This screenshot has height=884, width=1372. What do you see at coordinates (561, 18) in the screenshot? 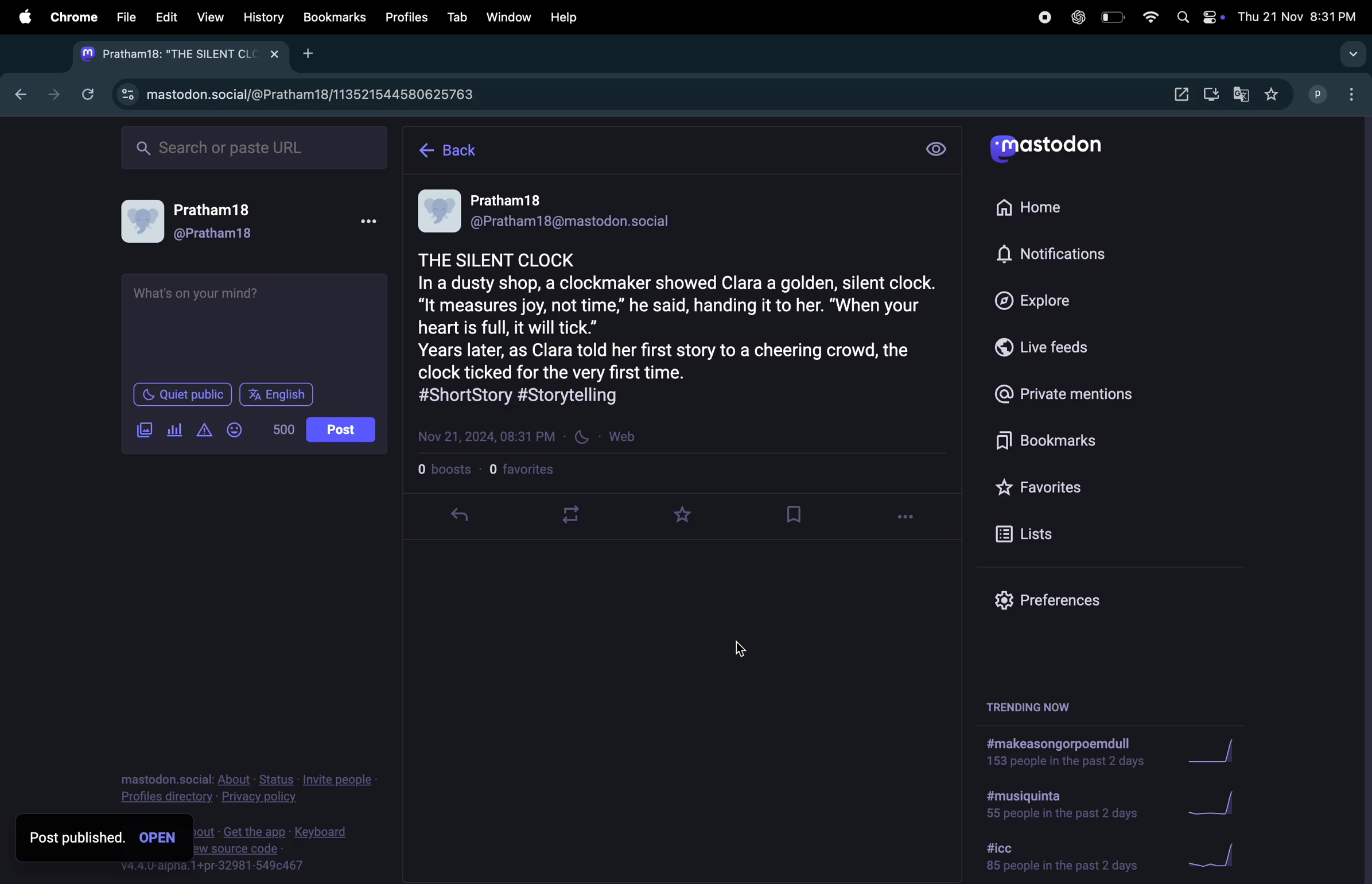
I see `help` at bounding box center [561, 18].